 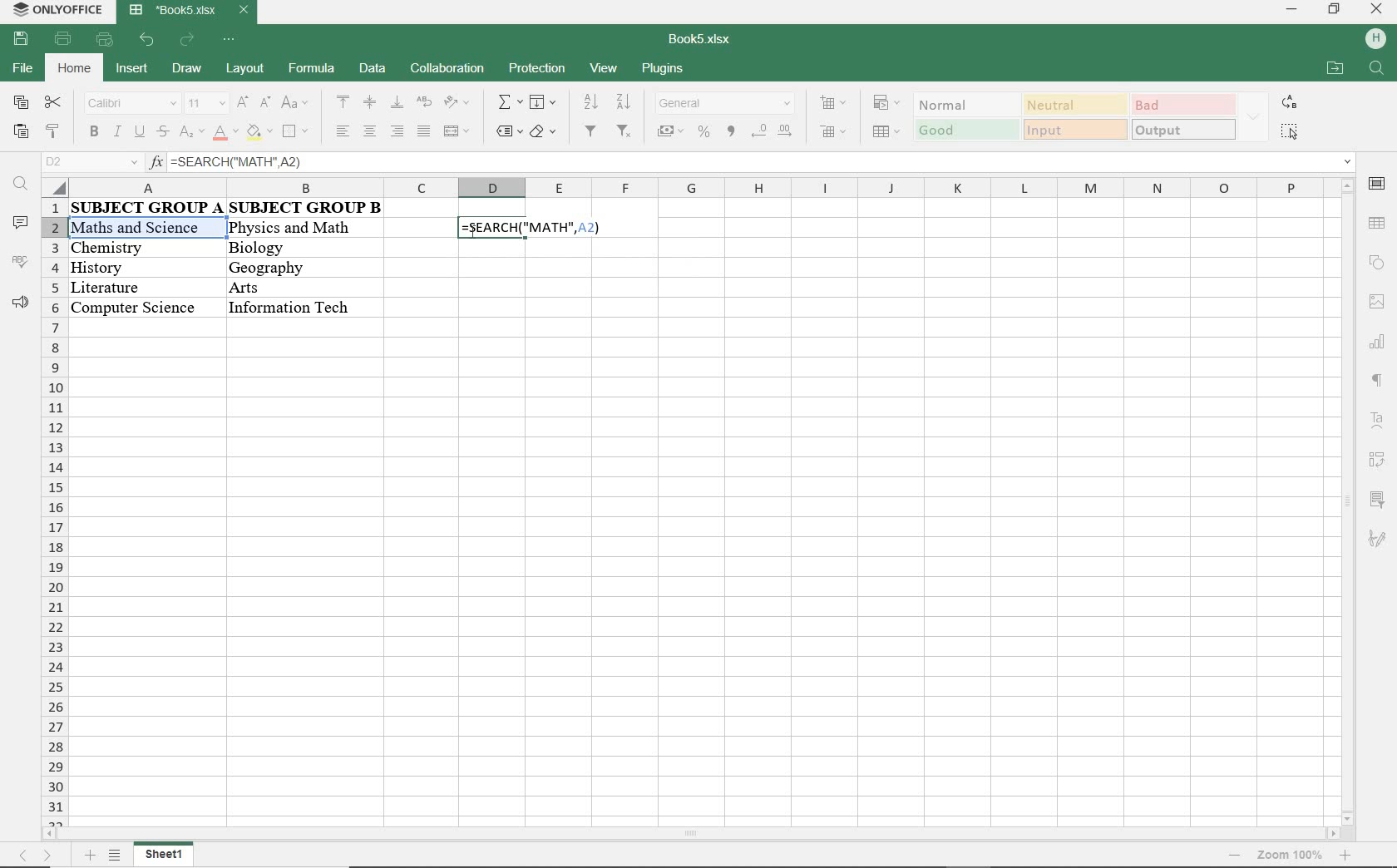 What do you see at coordinates (130, 284) in the screenshot?
I see `literature` at bounding box center [130, 284].